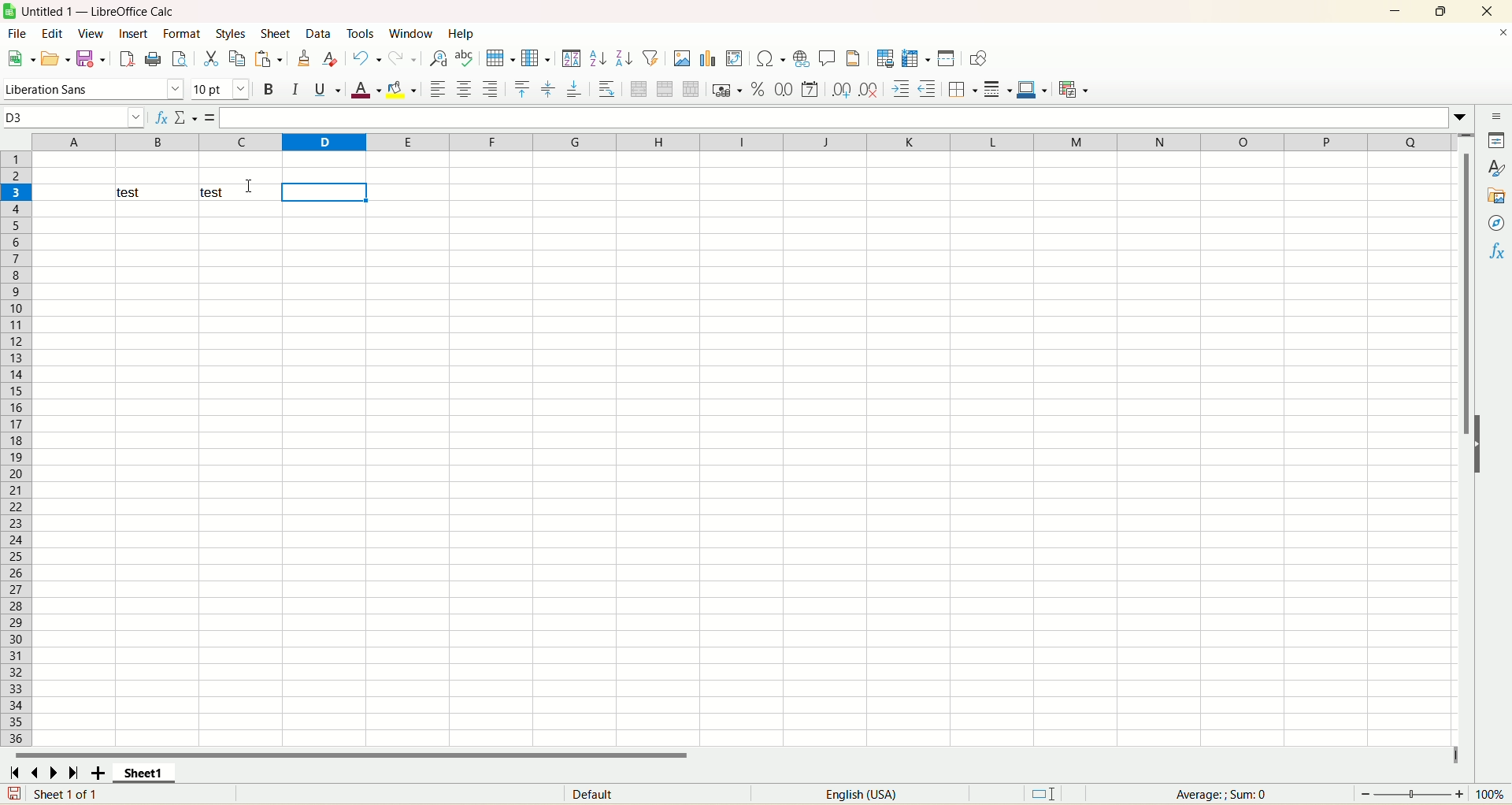 The image size is (1512, 805). I want to click on split window, so click(946, 58).